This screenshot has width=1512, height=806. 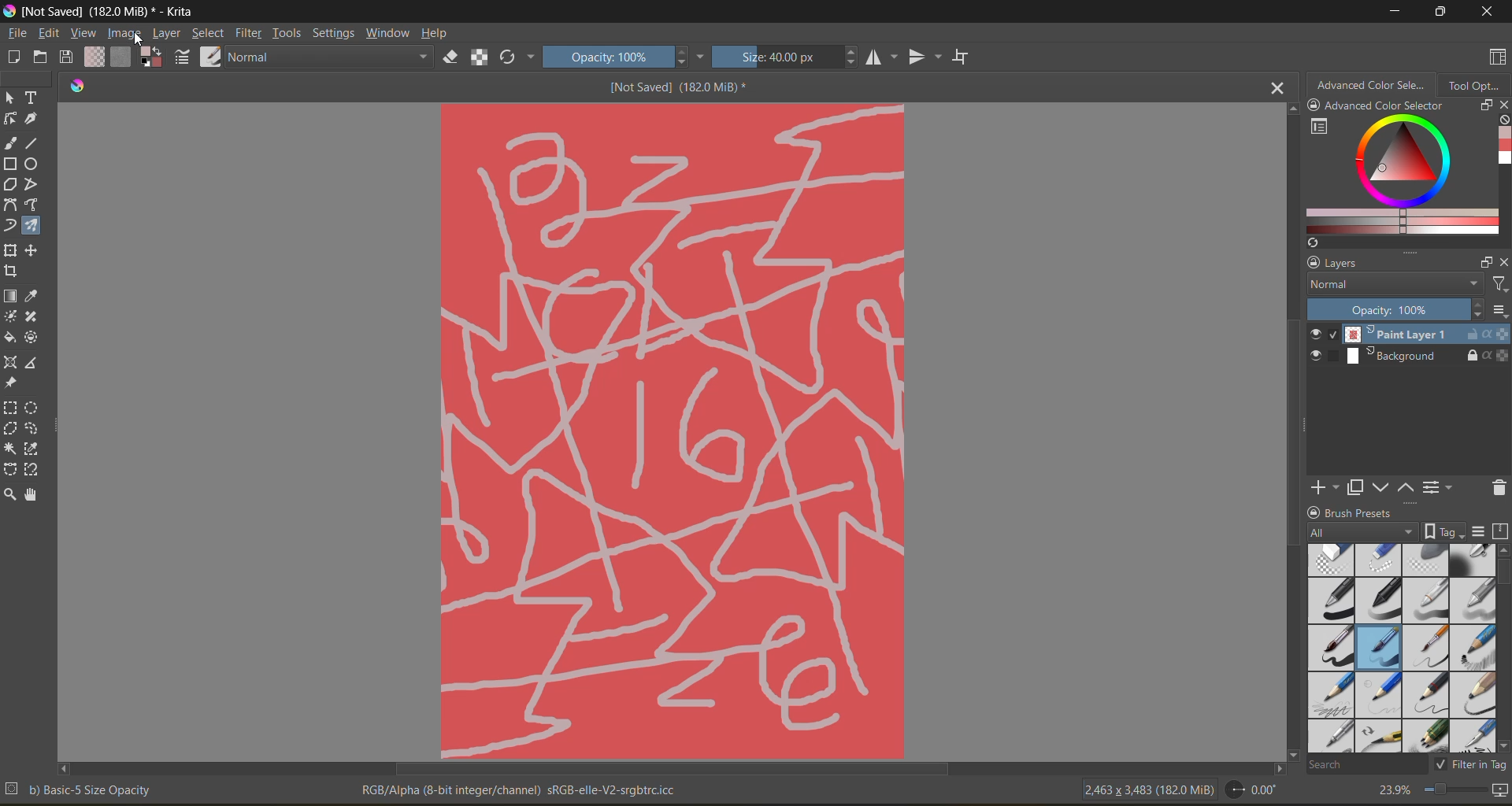 I want to click on Logo, so click(x=79, y=87).